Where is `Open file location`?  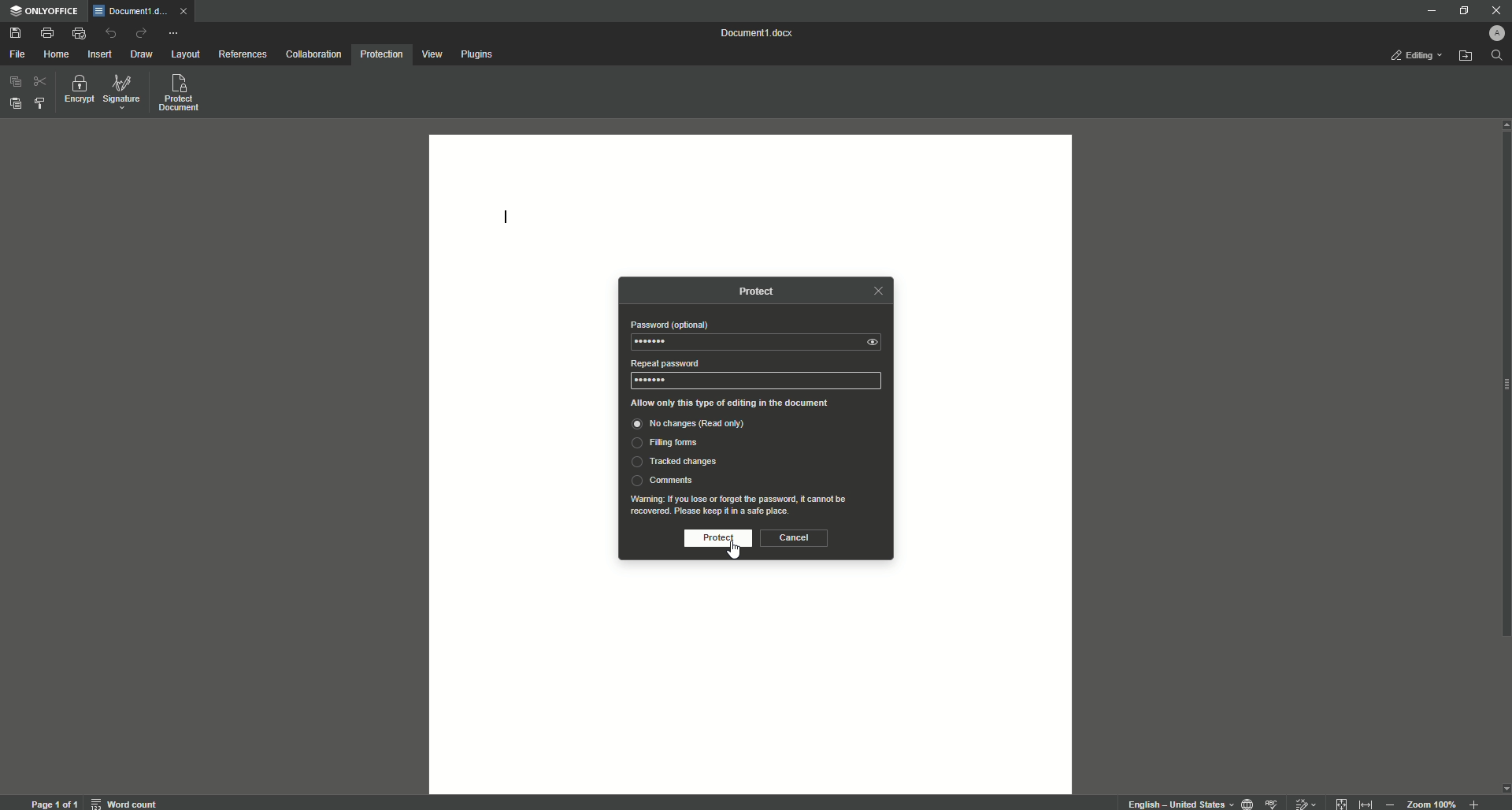
Open file location is located at coordinates (1466, 56).